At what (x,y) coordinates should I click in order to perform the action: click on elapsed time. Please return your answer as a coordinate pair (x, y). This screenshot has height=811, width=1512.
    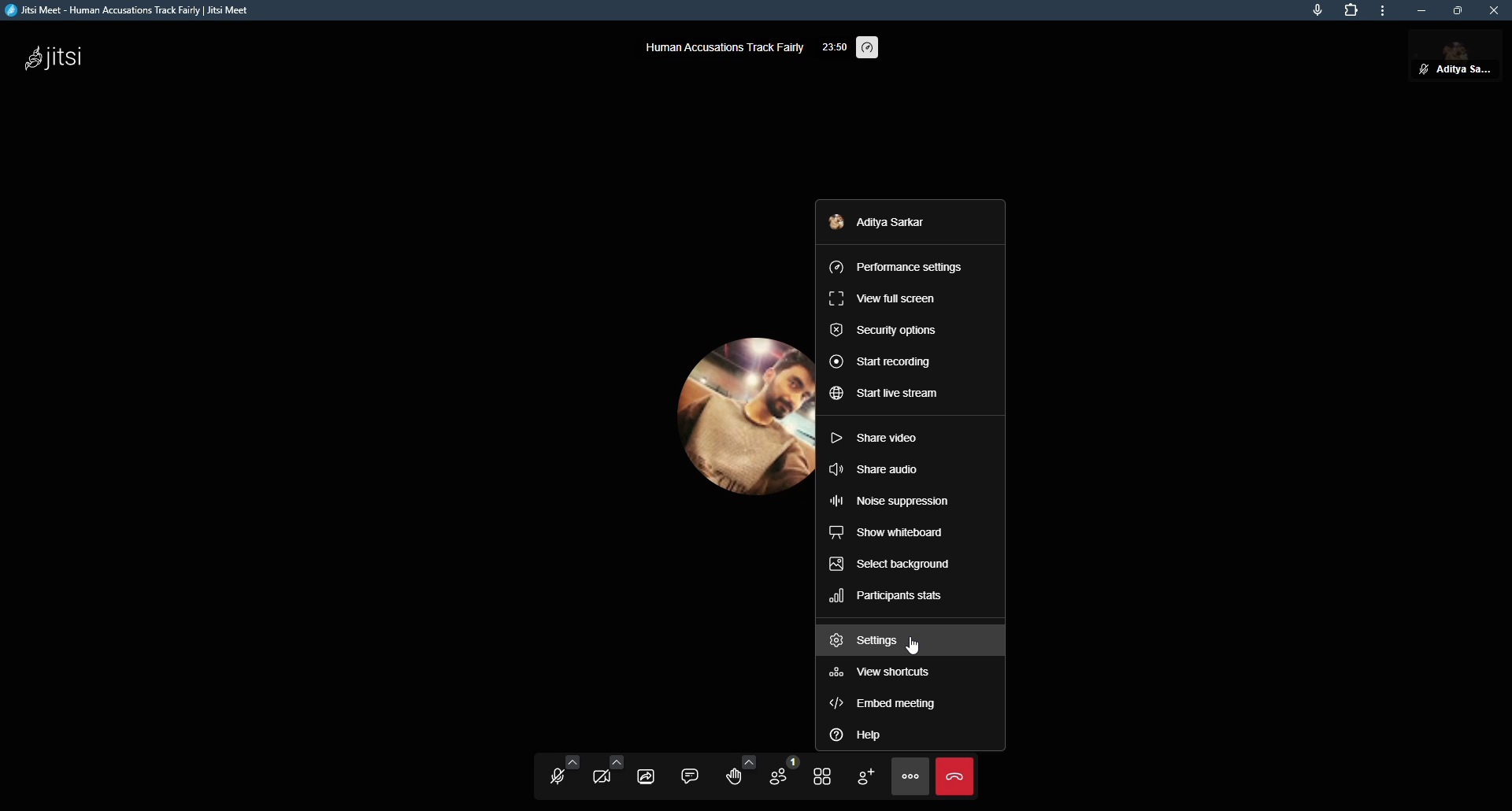
    Looking at the image, I should click on (835, 45).